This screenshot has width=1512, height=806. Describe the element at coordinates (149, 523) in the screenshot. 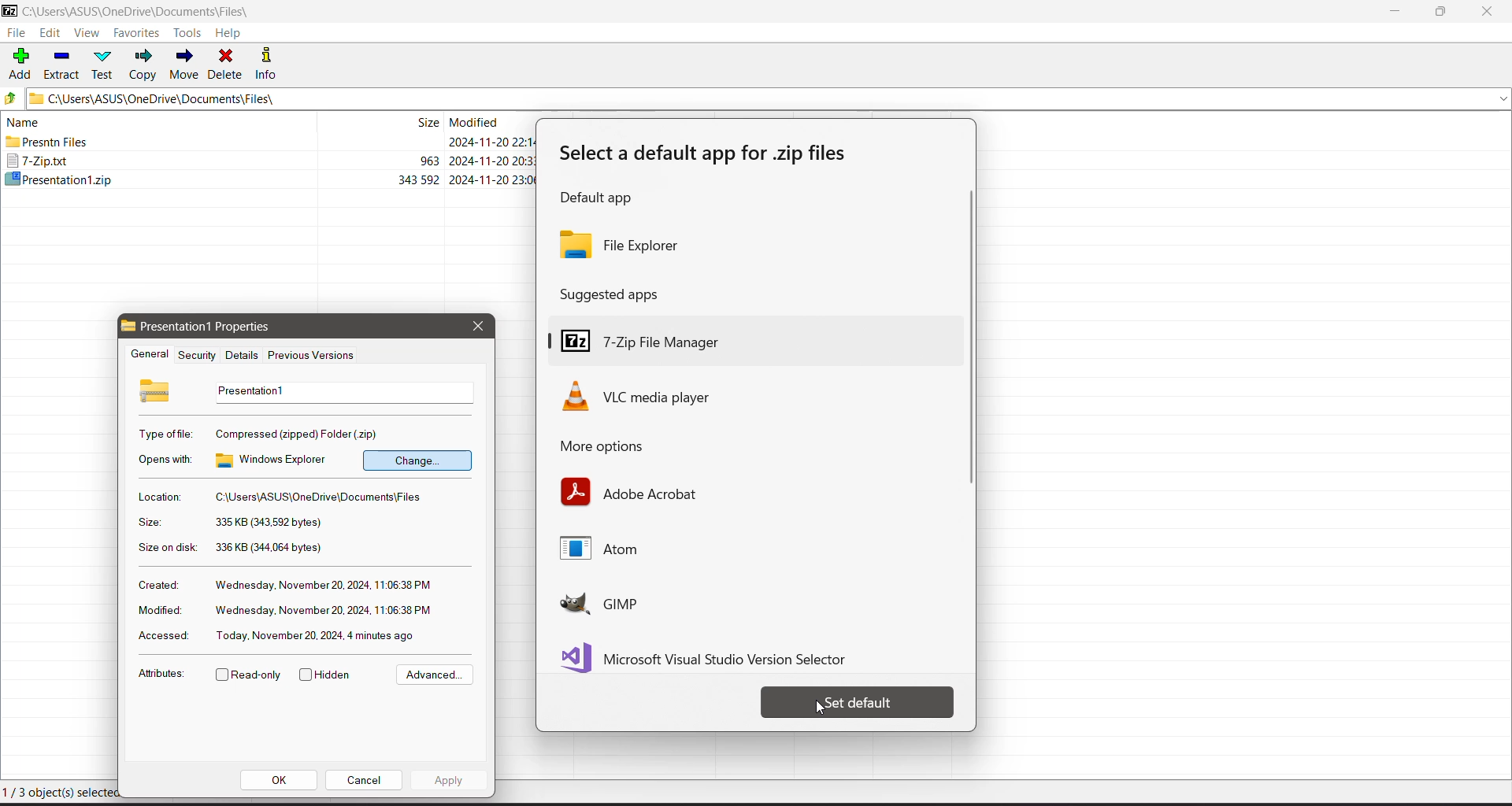

I see `Size` at that location.